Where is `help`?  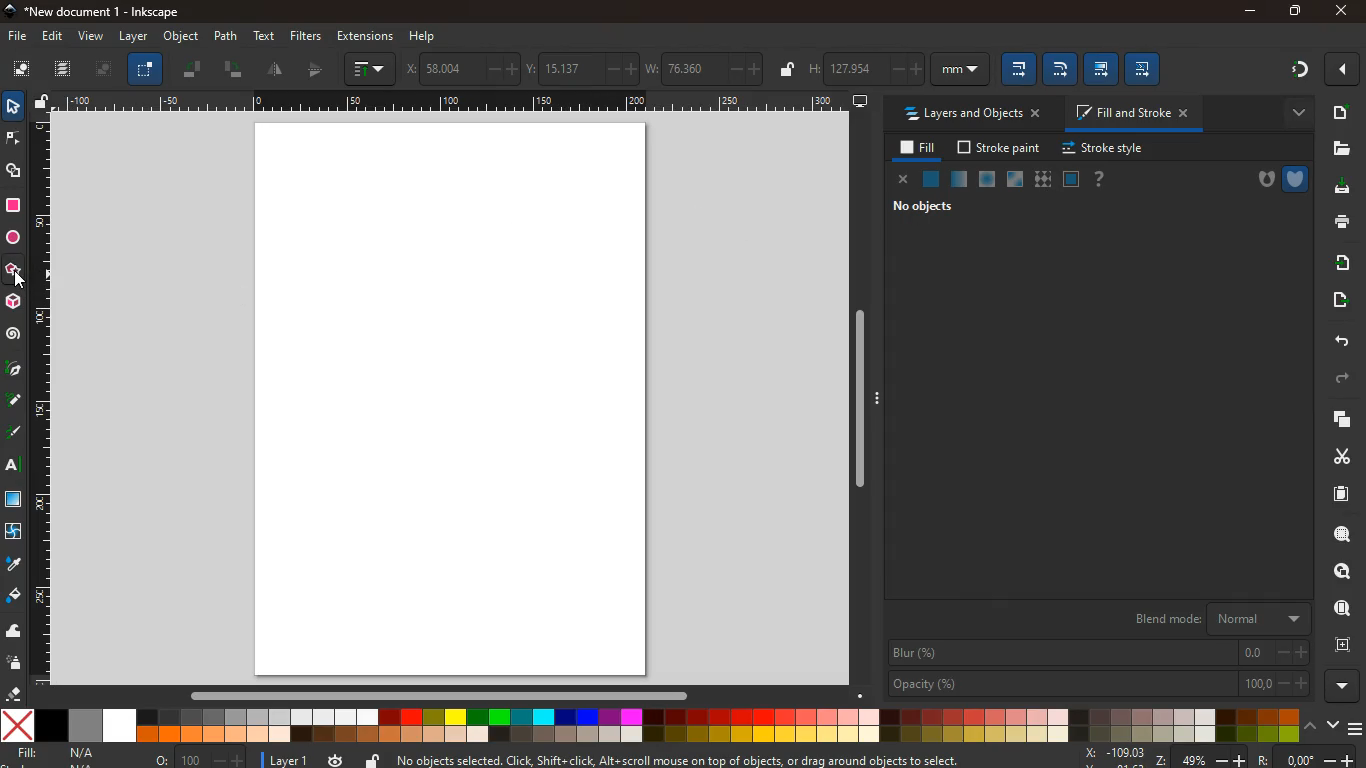 help is located at coordinates (1105, 179).